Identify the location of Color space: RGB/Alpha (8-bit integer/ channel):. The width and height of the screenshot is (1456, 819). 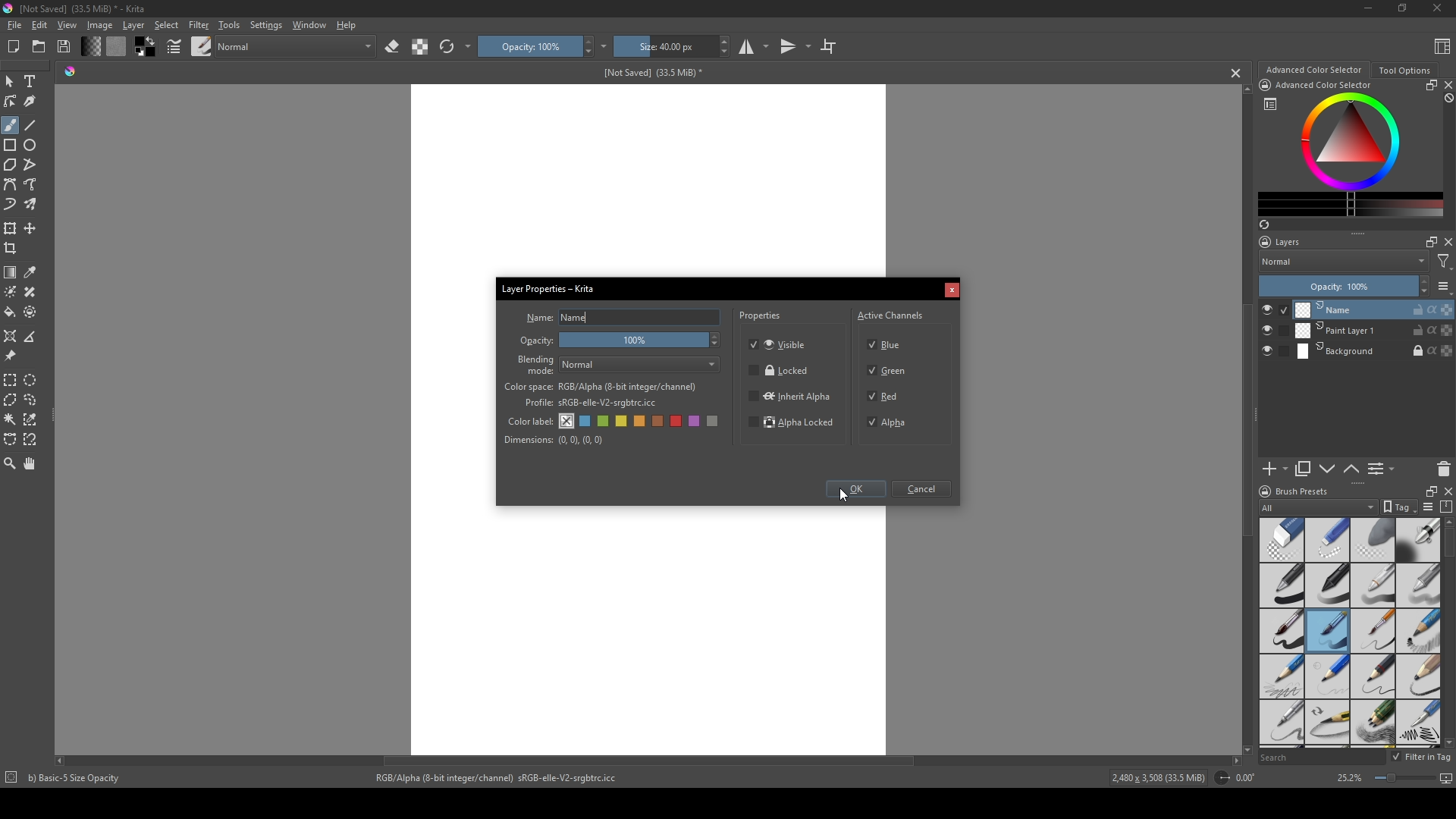
(601, 387).